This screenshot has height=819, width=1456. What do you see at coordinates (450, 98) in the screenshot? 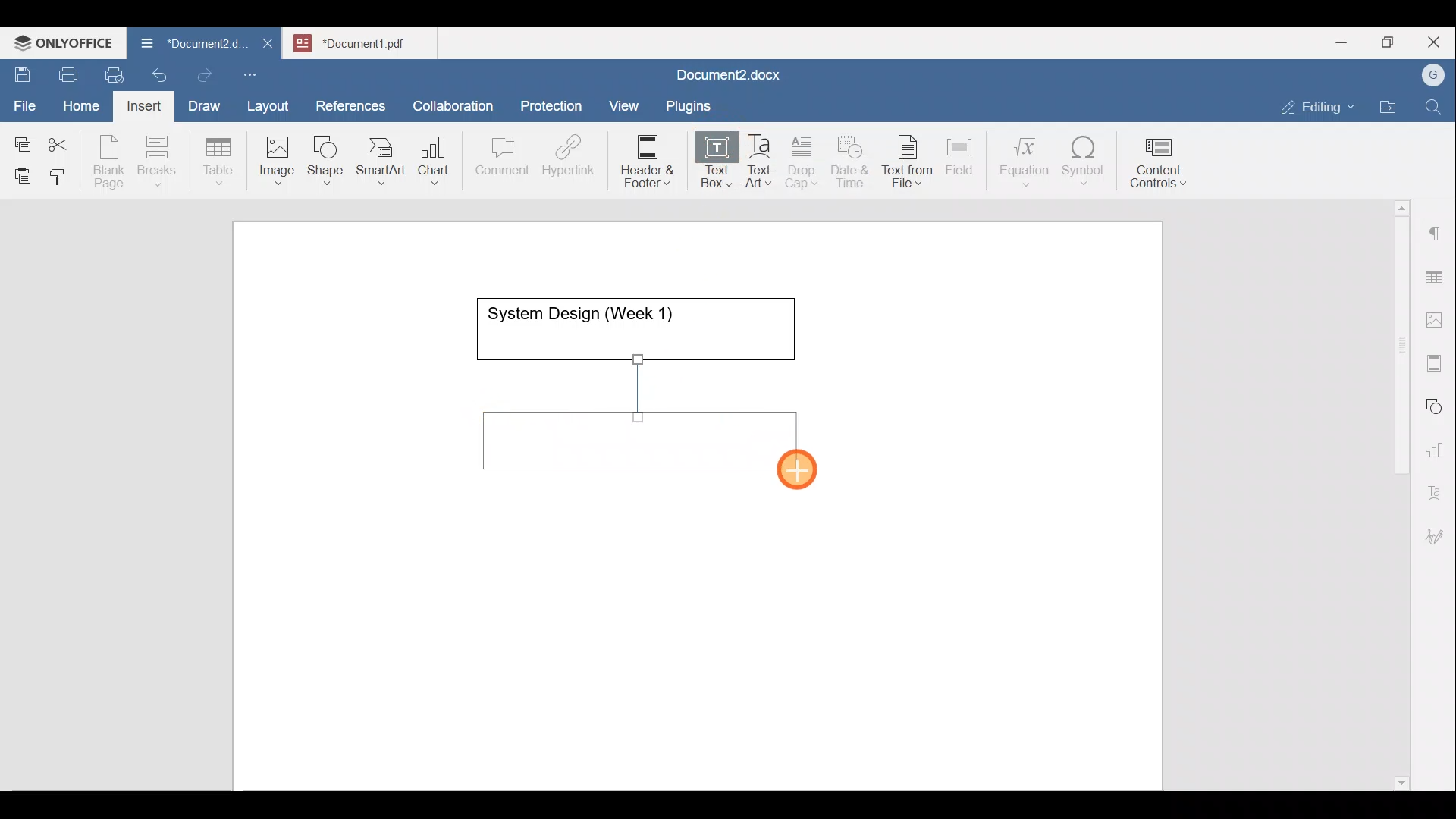
I see `Collaboration` at bounding box center [450, 98].